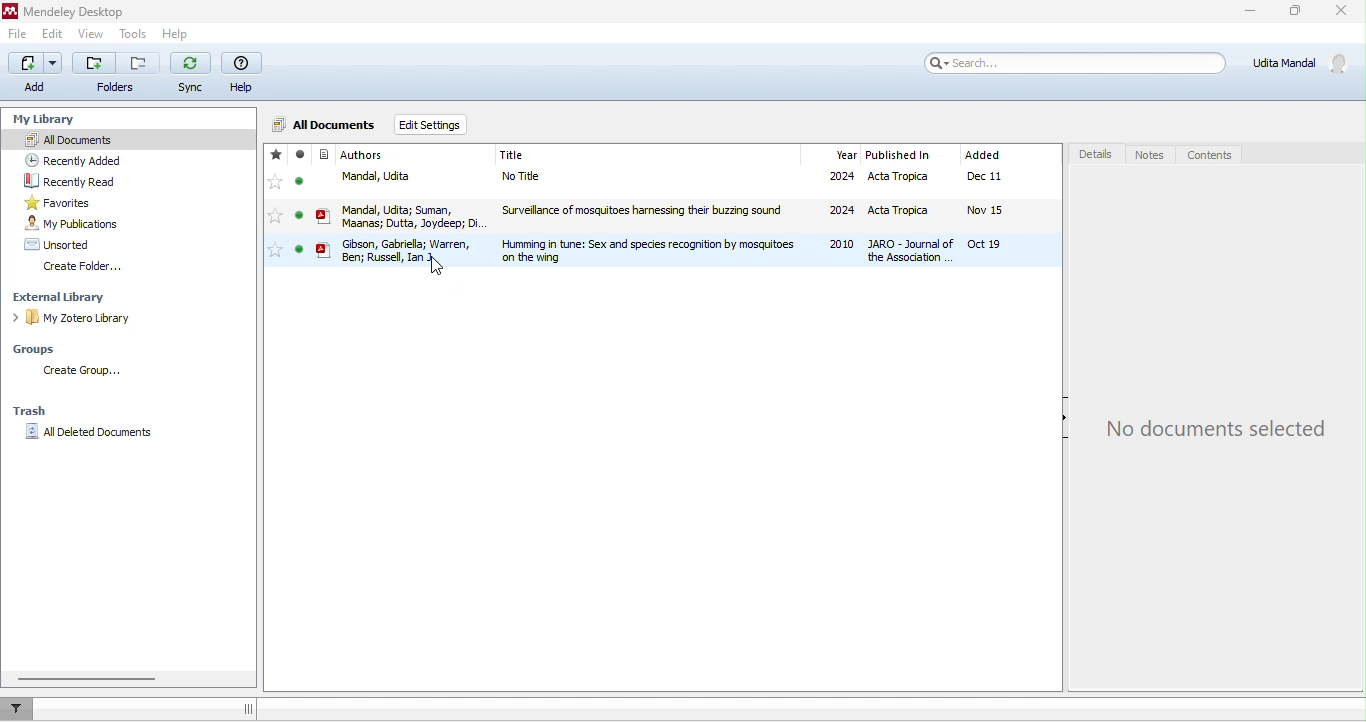  I want to click on tools, so click(133, 36).